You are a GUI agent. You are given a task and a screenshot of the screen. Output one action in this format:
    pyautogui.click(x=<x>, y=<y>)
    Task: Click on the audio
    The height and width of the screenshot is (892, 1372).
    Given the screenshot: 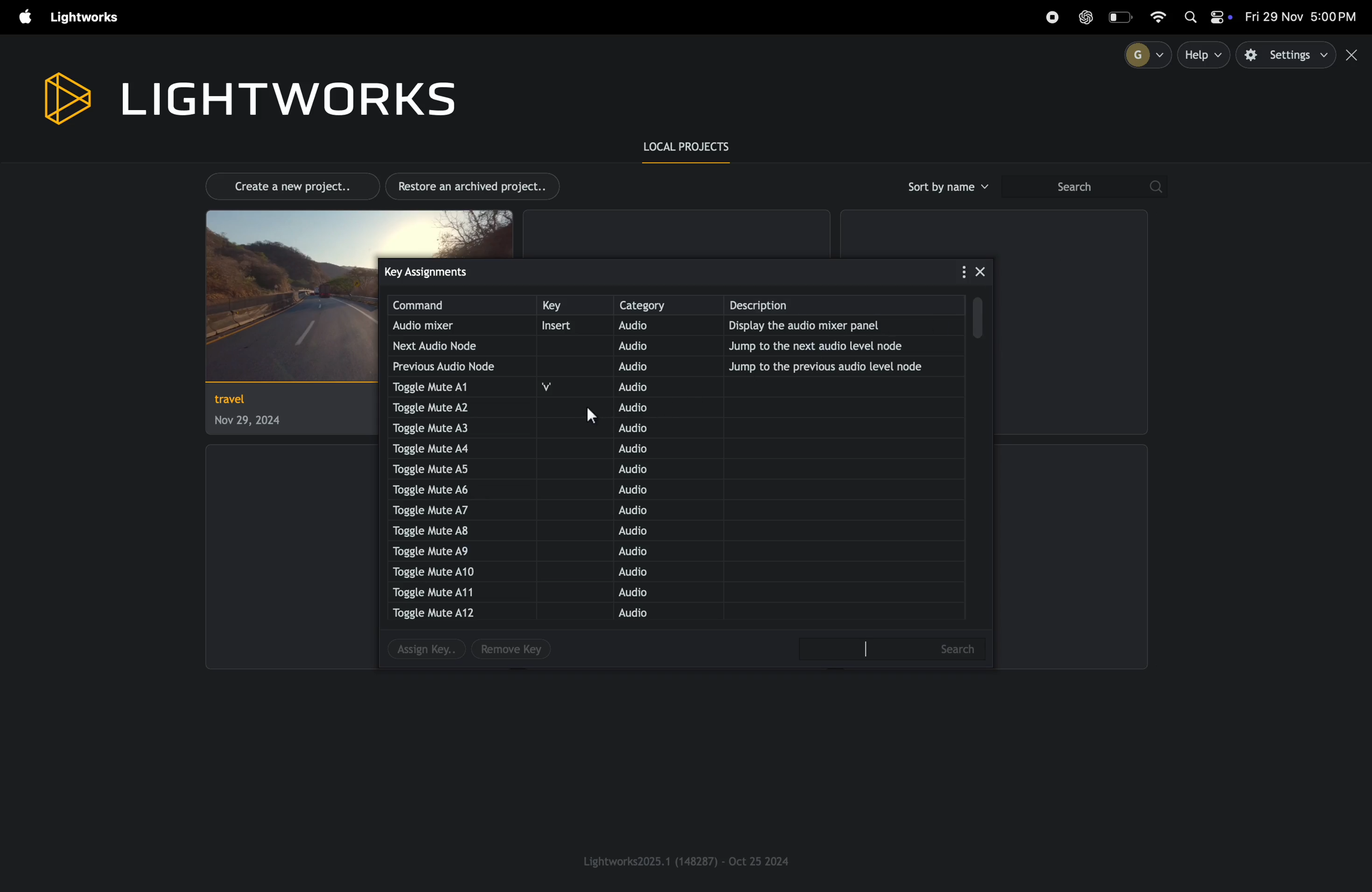 What is the action you would take?
    pyautogui.click(x=648, y=593)
    